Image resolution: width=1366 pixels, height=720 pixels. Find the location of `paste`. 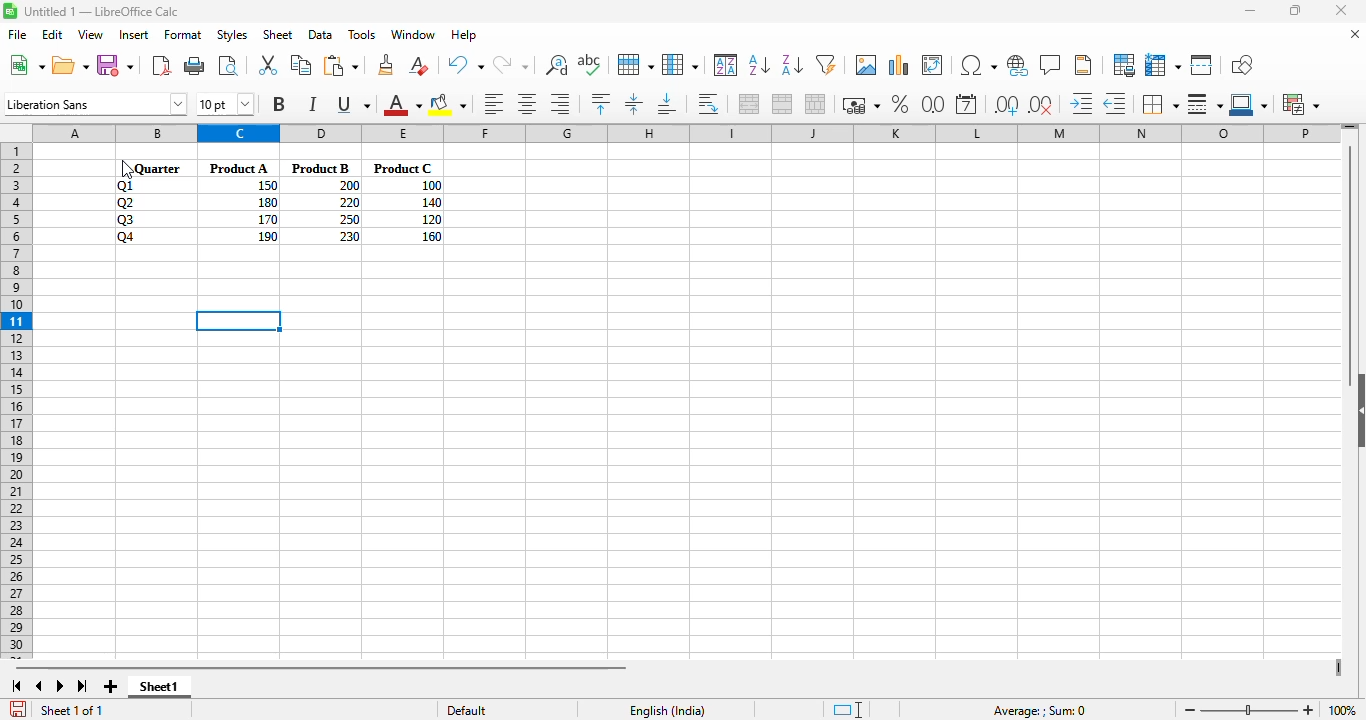

paste is located at coordinates (342, 65).